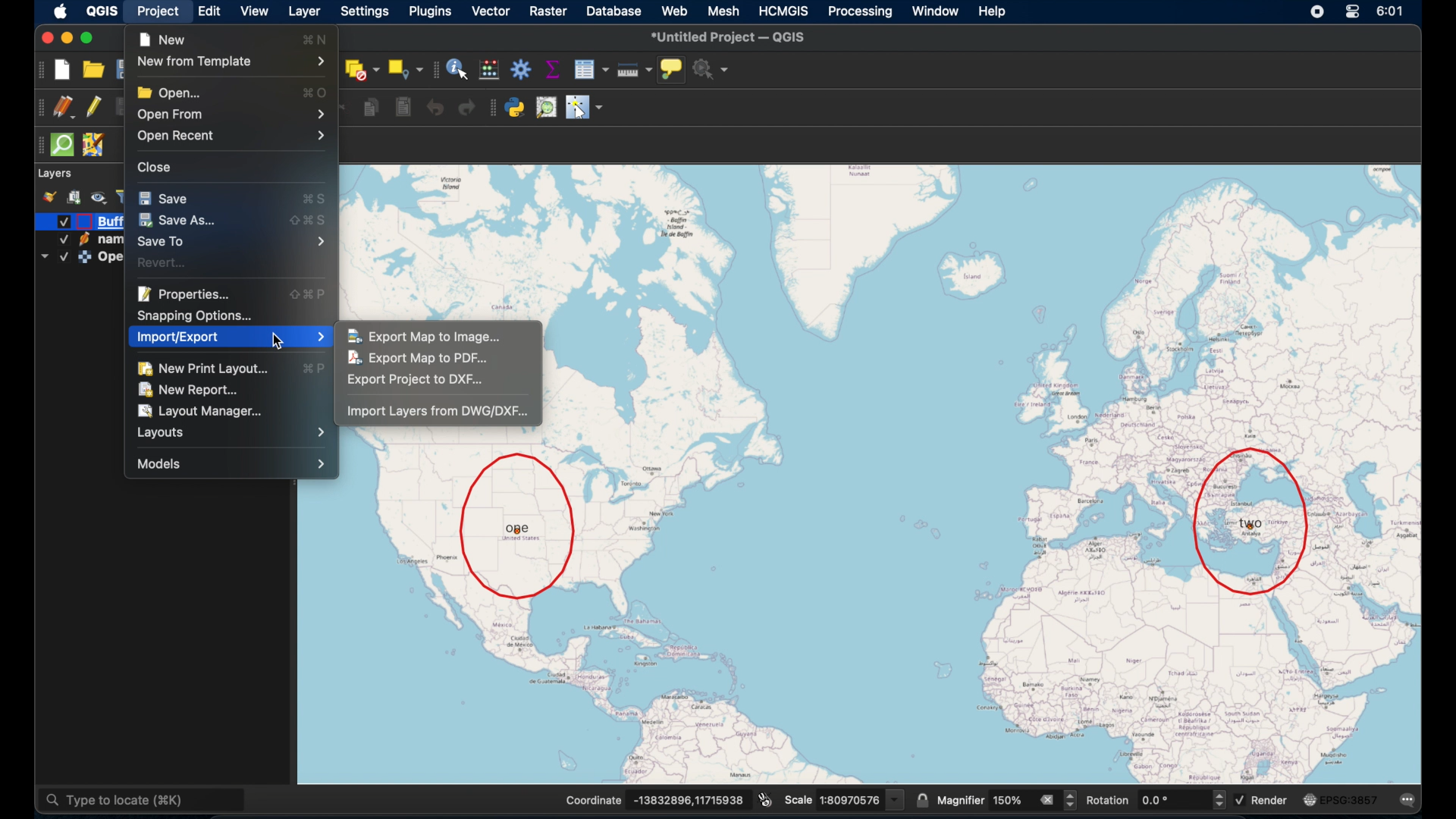 The width and height of the screenshot is (1456, 819). What do you see at coordinates (633, 68) in the screenshot?
I see `measure line` at bounding box center [633, 68].